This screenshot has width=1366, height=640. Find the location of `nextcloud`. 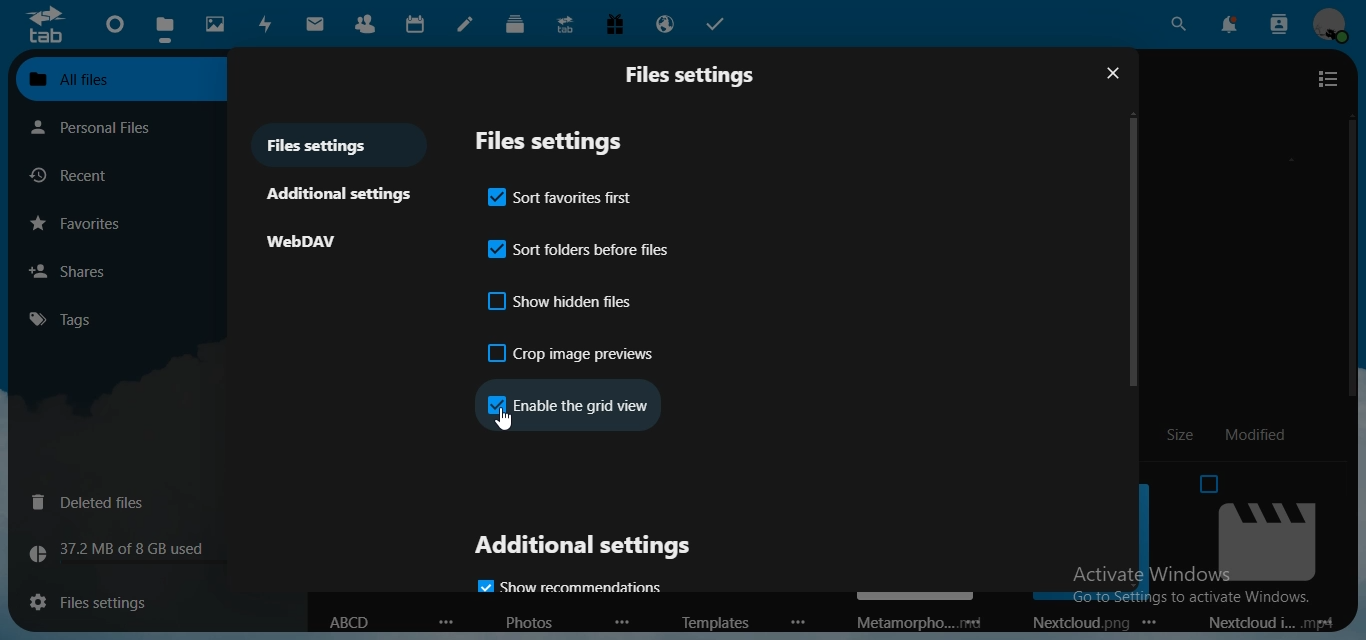

nextcloud is located at coordinates (1072, 623).